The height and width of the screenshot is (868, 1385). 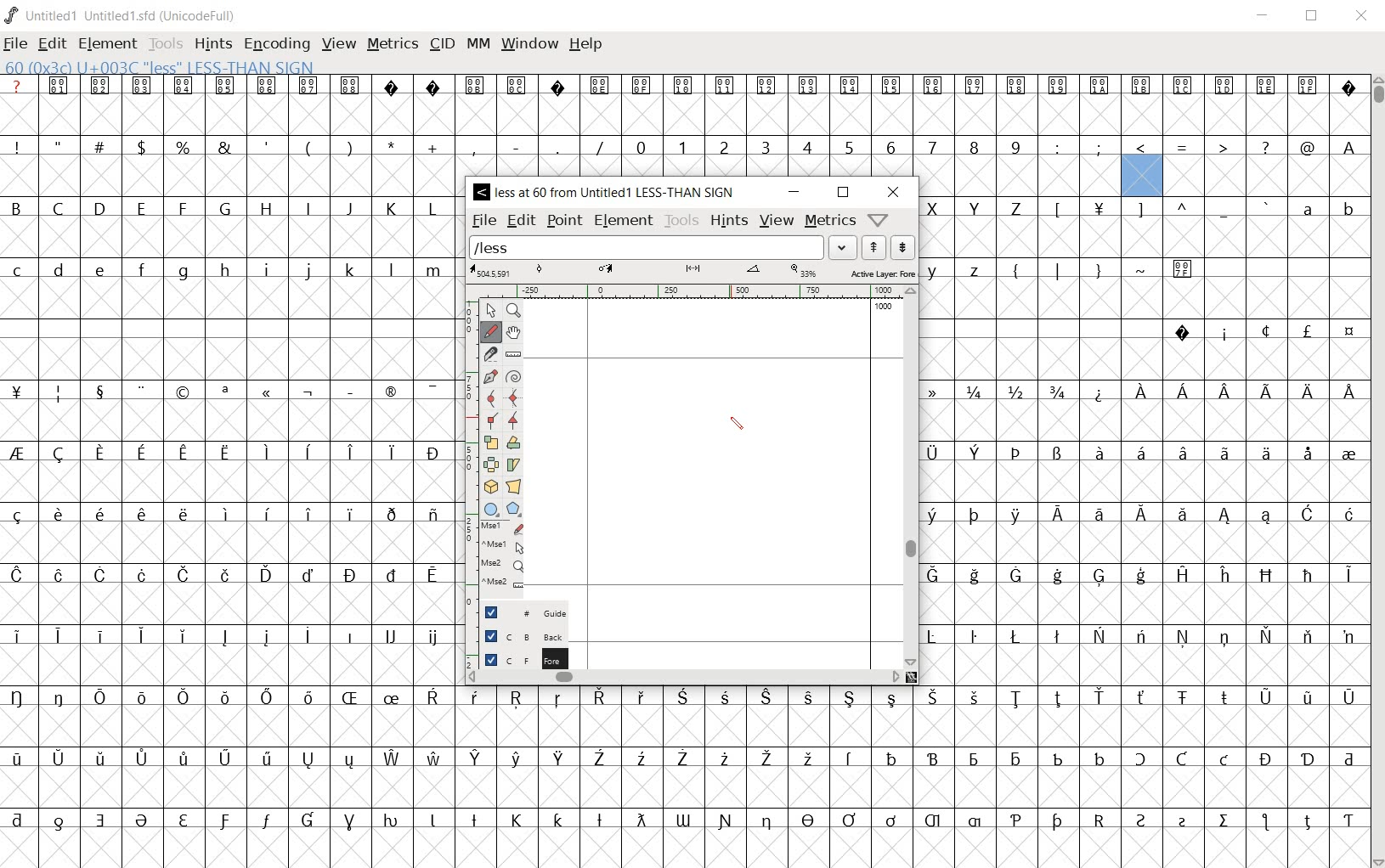 I want to click on , so click(x=1347, y=146).